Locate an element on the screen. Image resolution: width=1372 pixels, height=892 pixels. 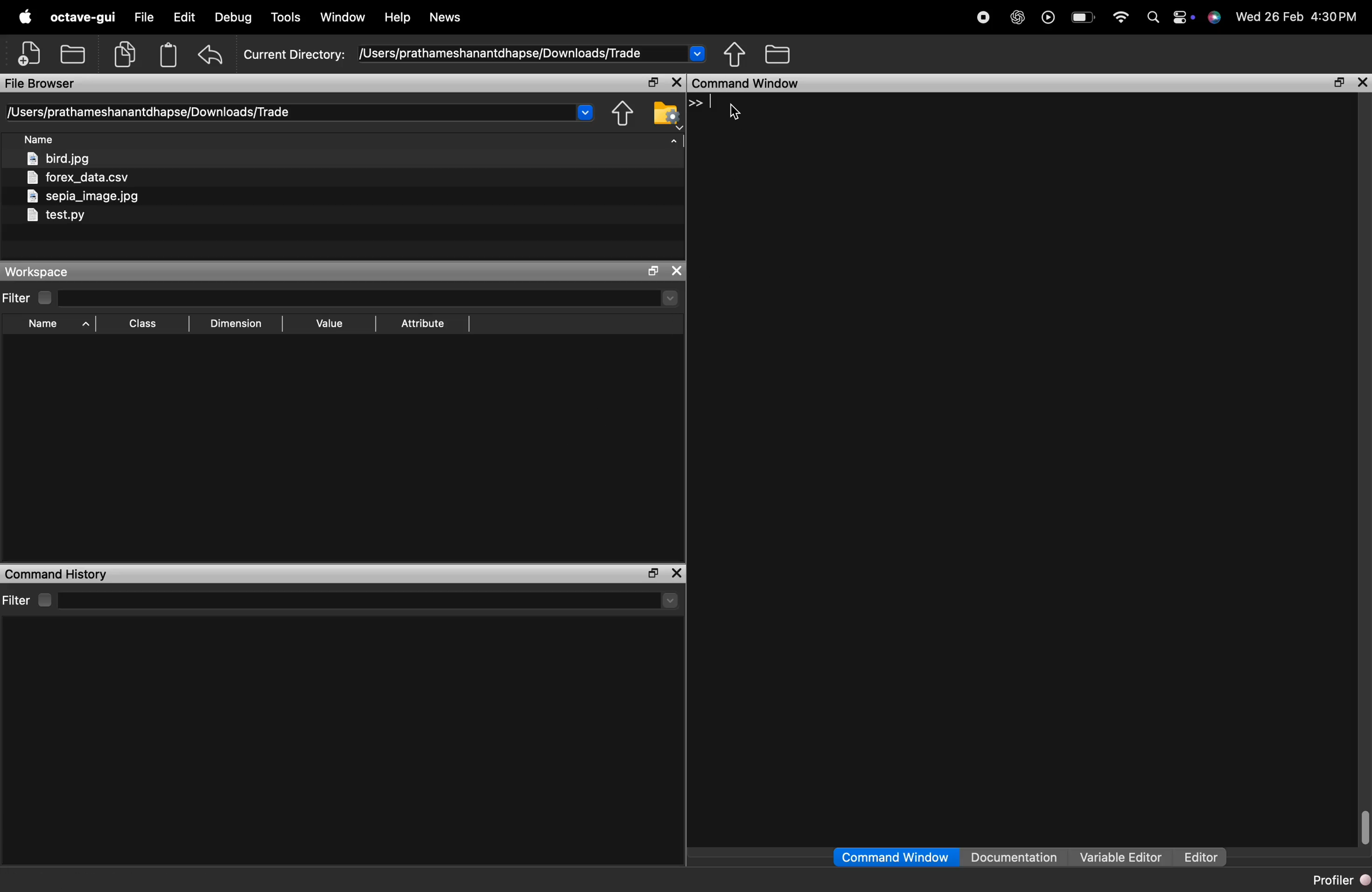
Clipboard  is located at coordinates (168, 54).